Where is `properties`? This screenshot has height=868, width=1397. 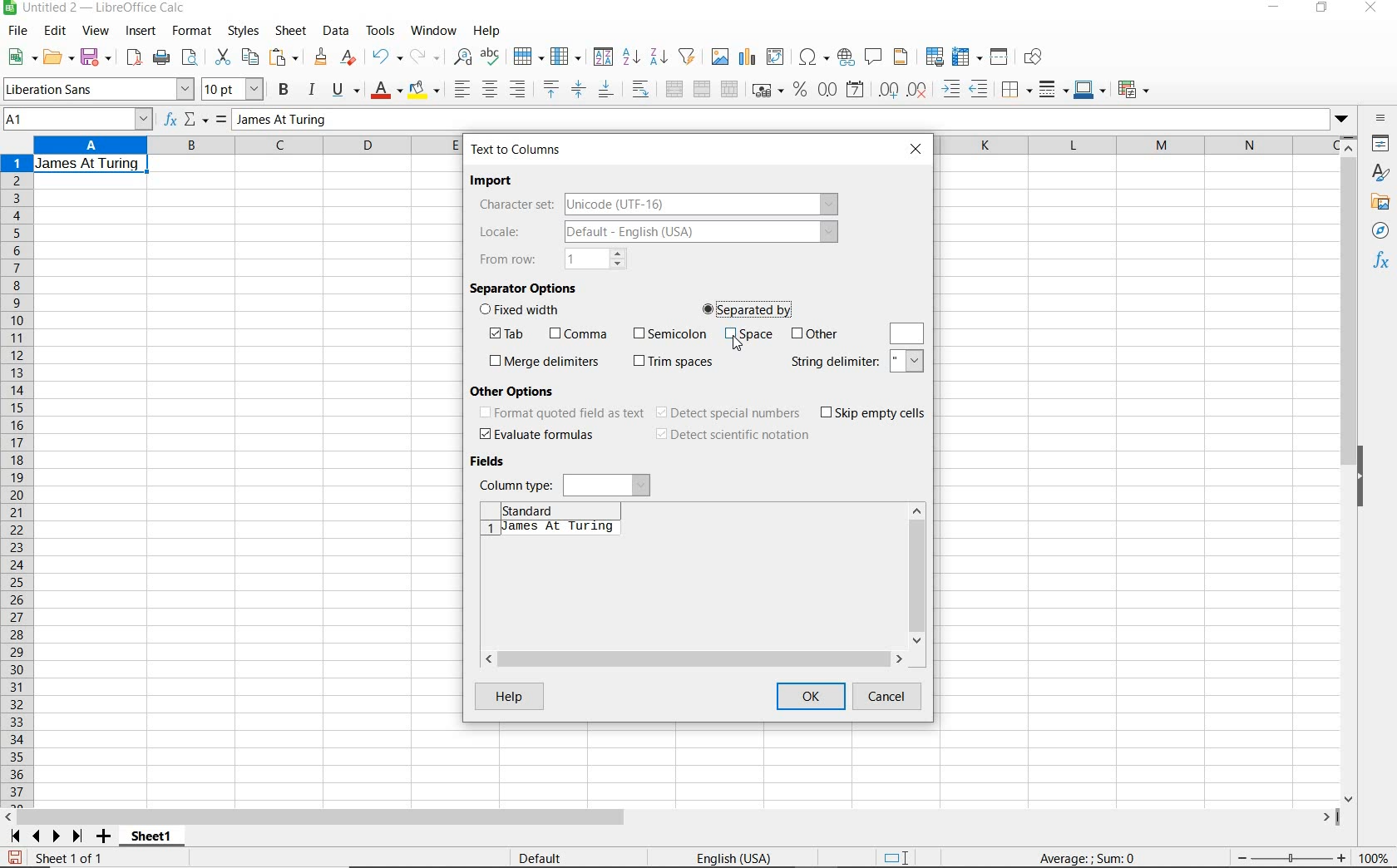 properties is located at coordinates (1381, 143).